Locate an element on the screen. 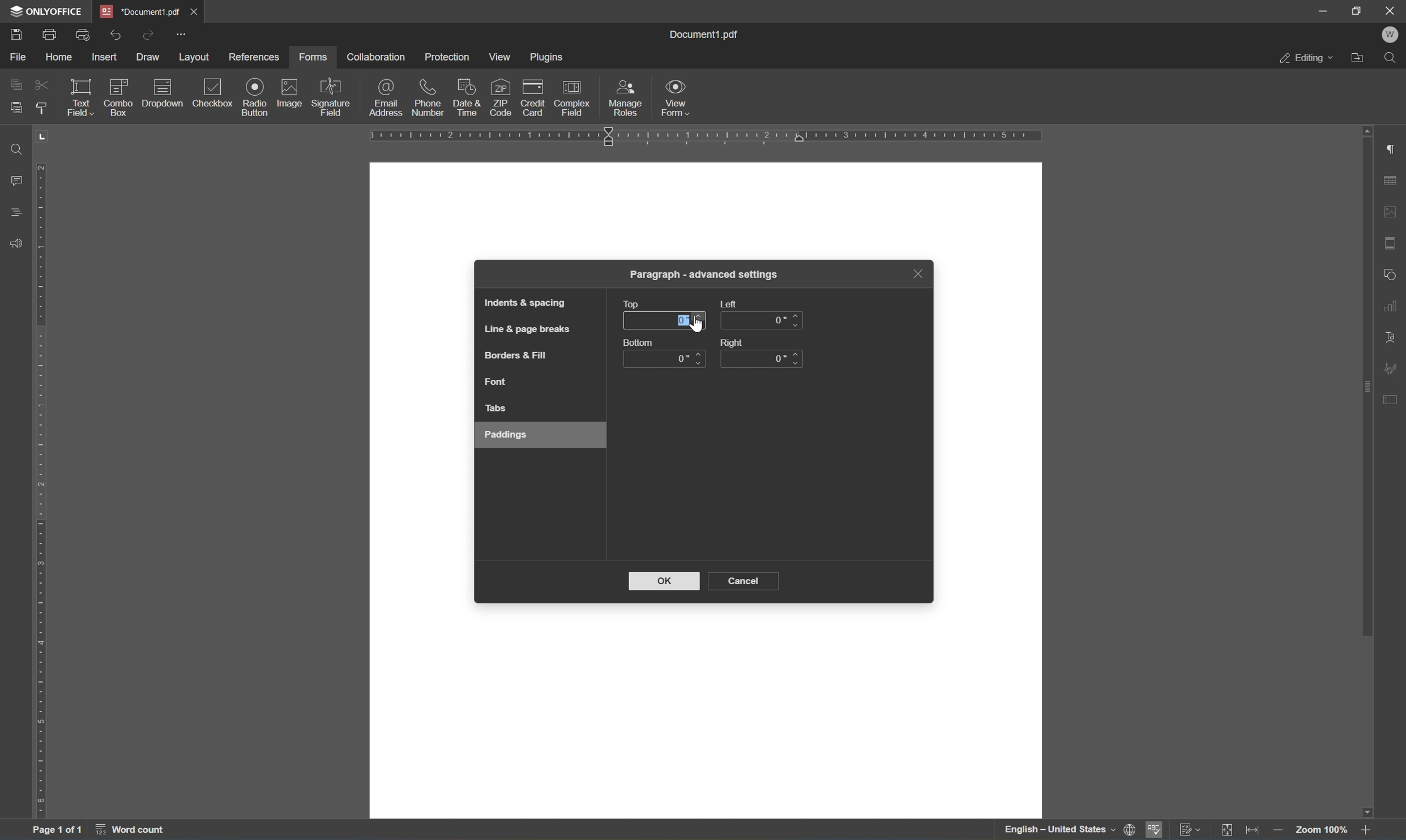  radio button is located at coordinates (254, 96).